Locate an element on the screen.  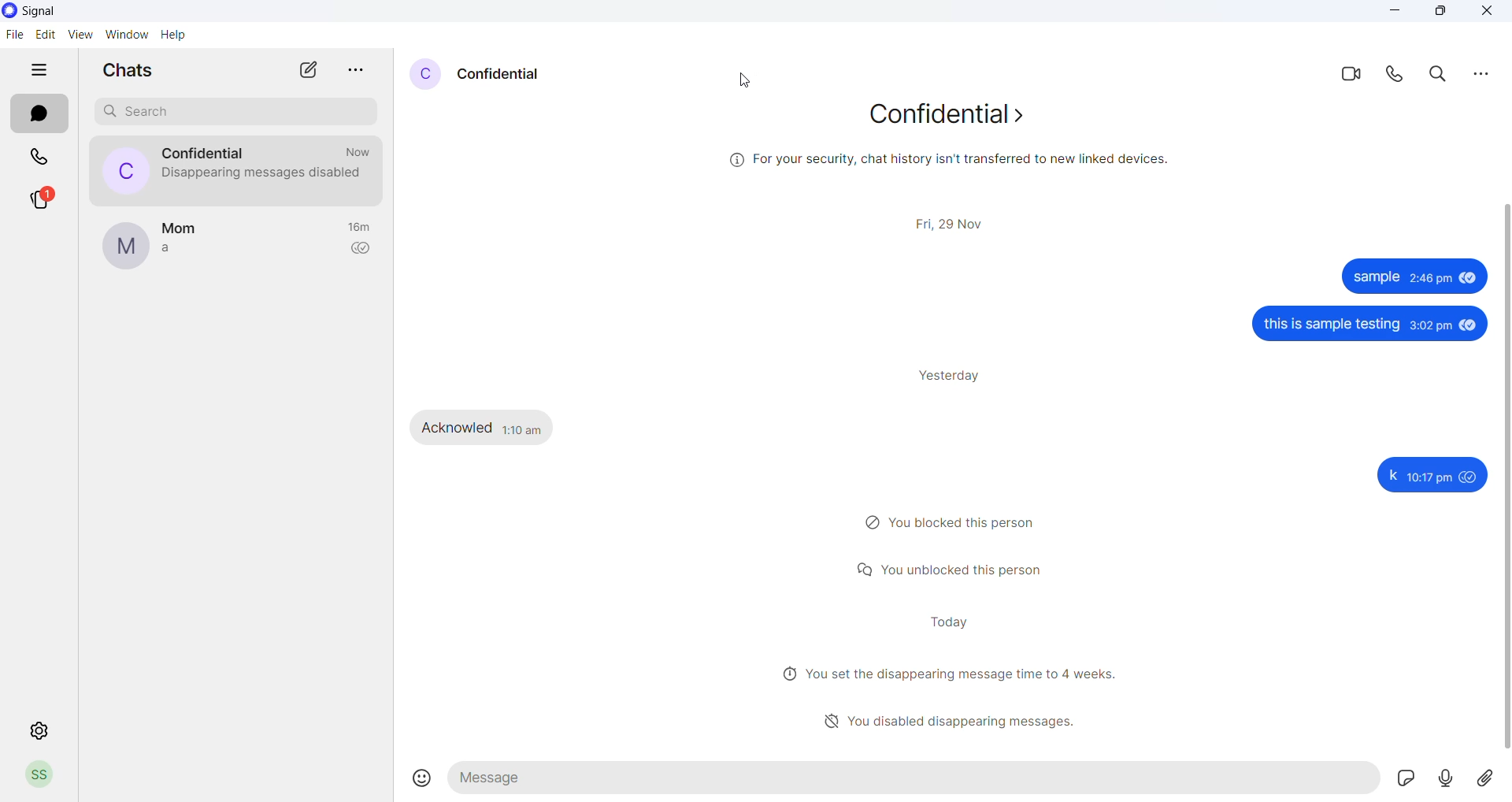
 is located at coordinates (1369, 323).